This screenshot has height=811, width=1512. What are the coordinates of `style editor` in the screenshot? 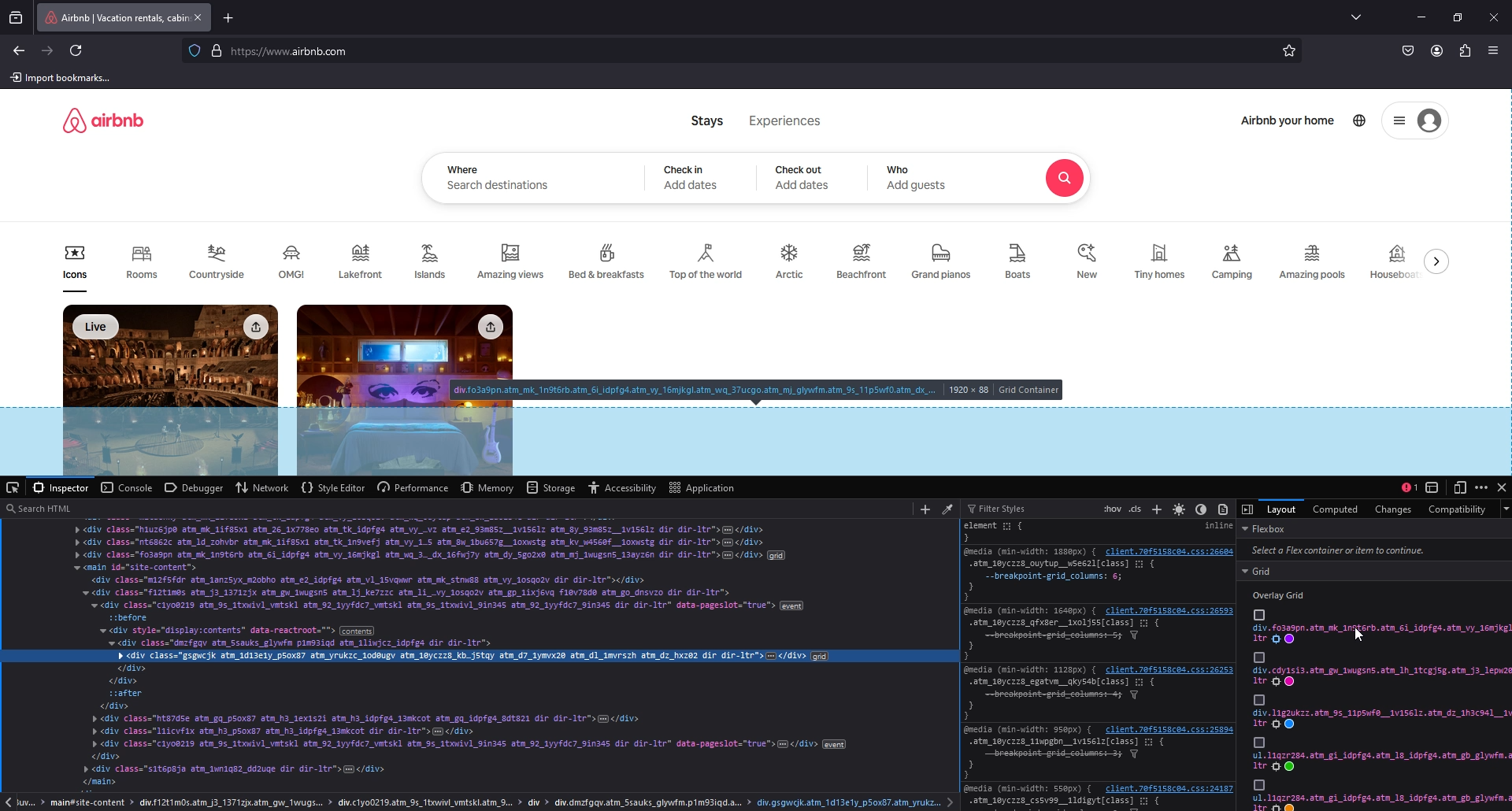 It's located at (332, 487).